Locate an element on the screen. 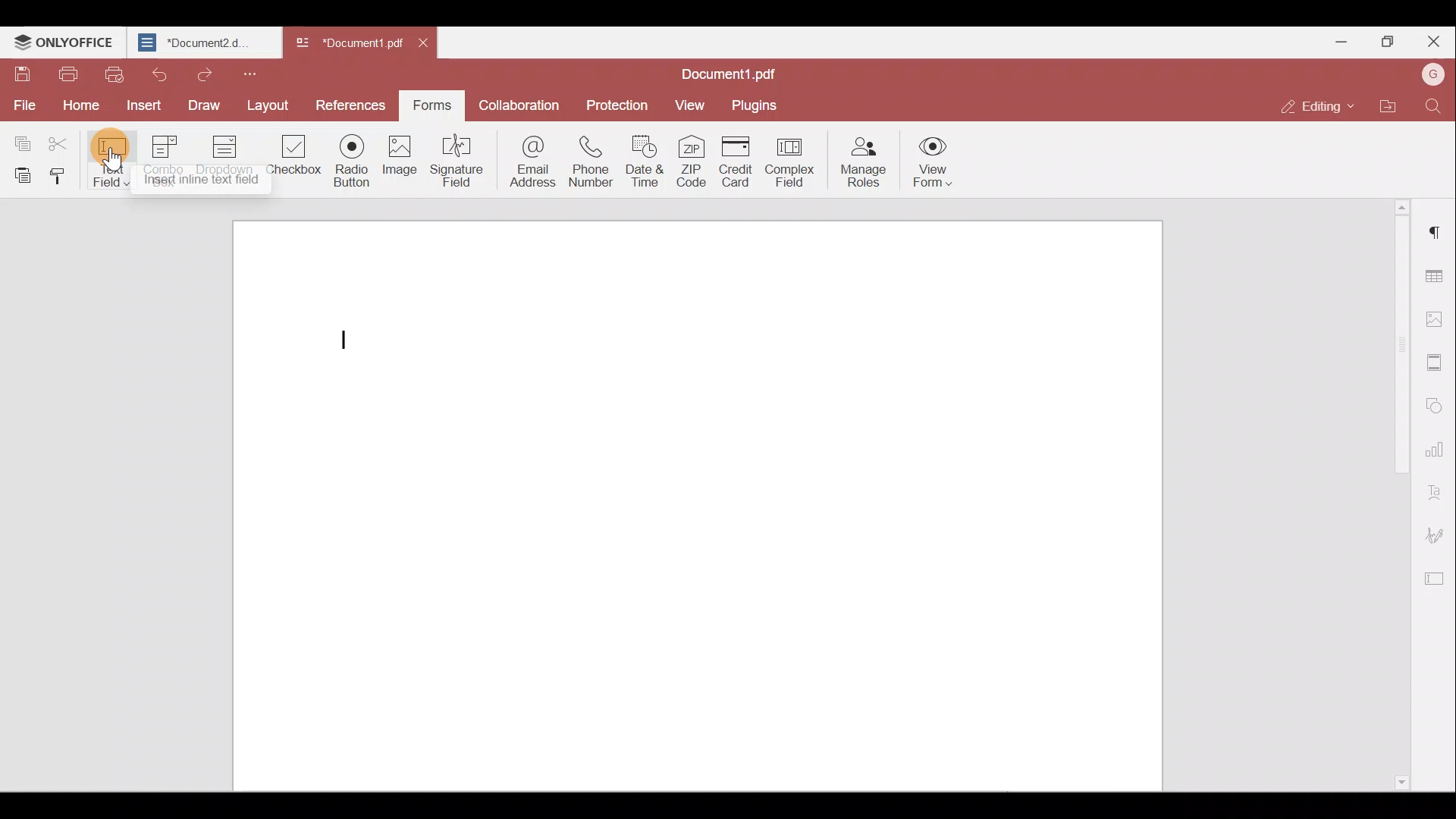 The height and width of the screenshot is (819, 1456). Cut is located at coordinates (64, 140).